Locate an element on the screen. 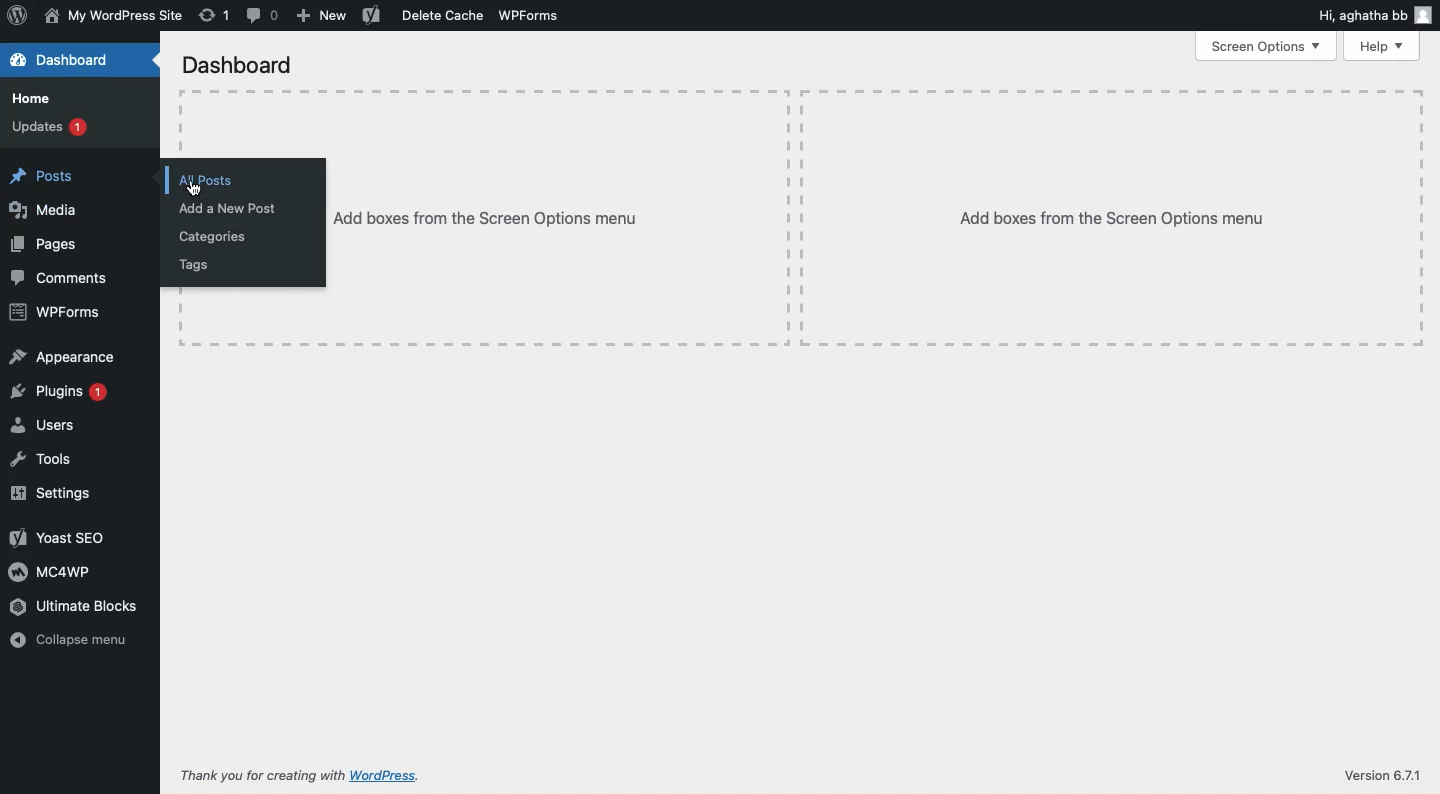  cursor is located at coordinates (196, 189).